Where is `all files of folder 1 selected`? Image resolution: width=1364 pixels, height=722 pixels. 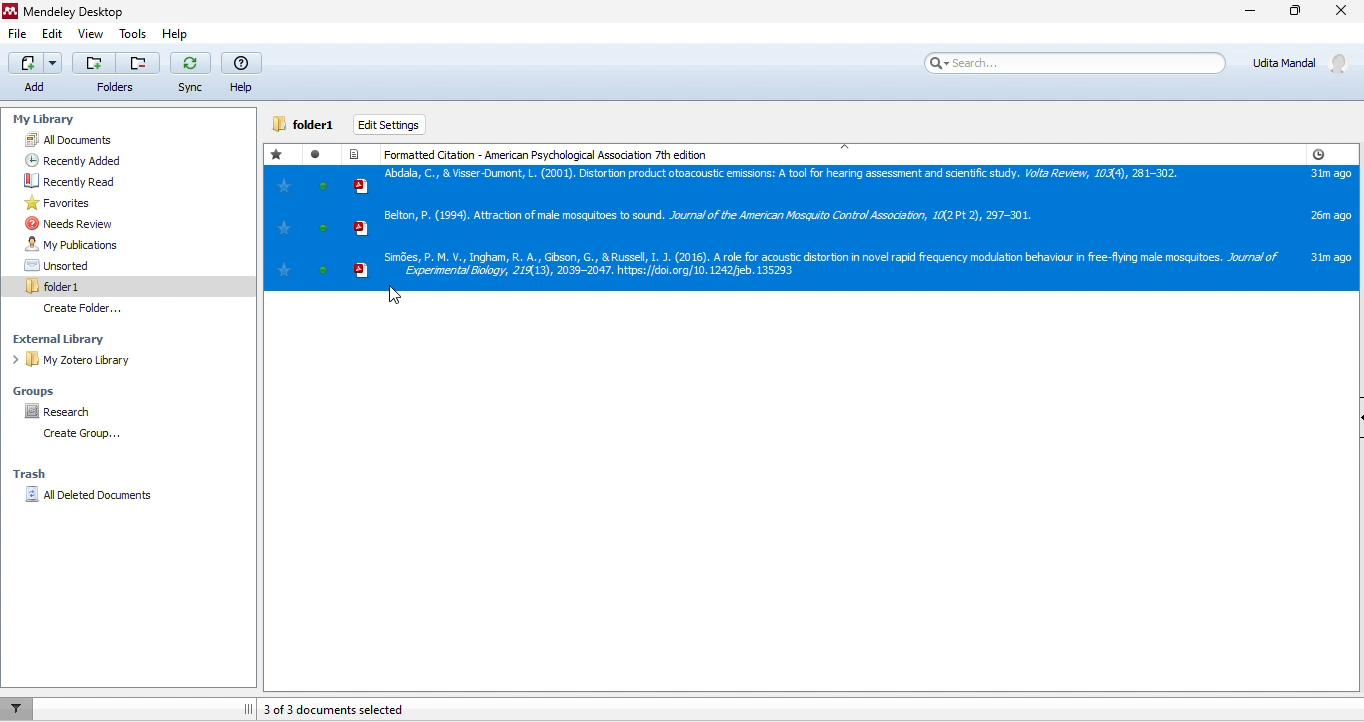 all files of folder 1 selected is located at coordinates (811, 229).